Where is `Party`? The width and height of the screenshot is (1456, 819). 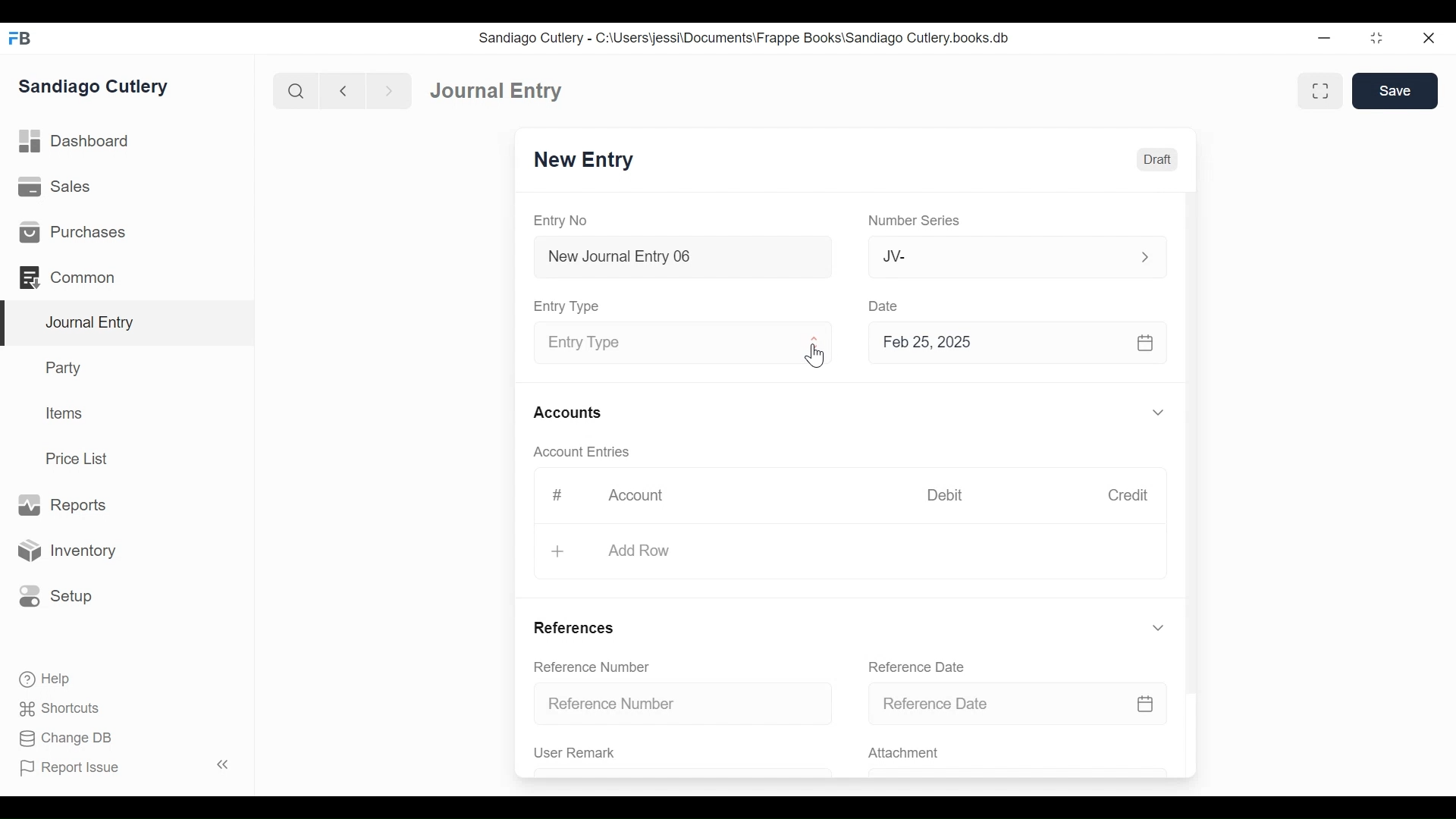 Party is located at coordinates (67, 367).